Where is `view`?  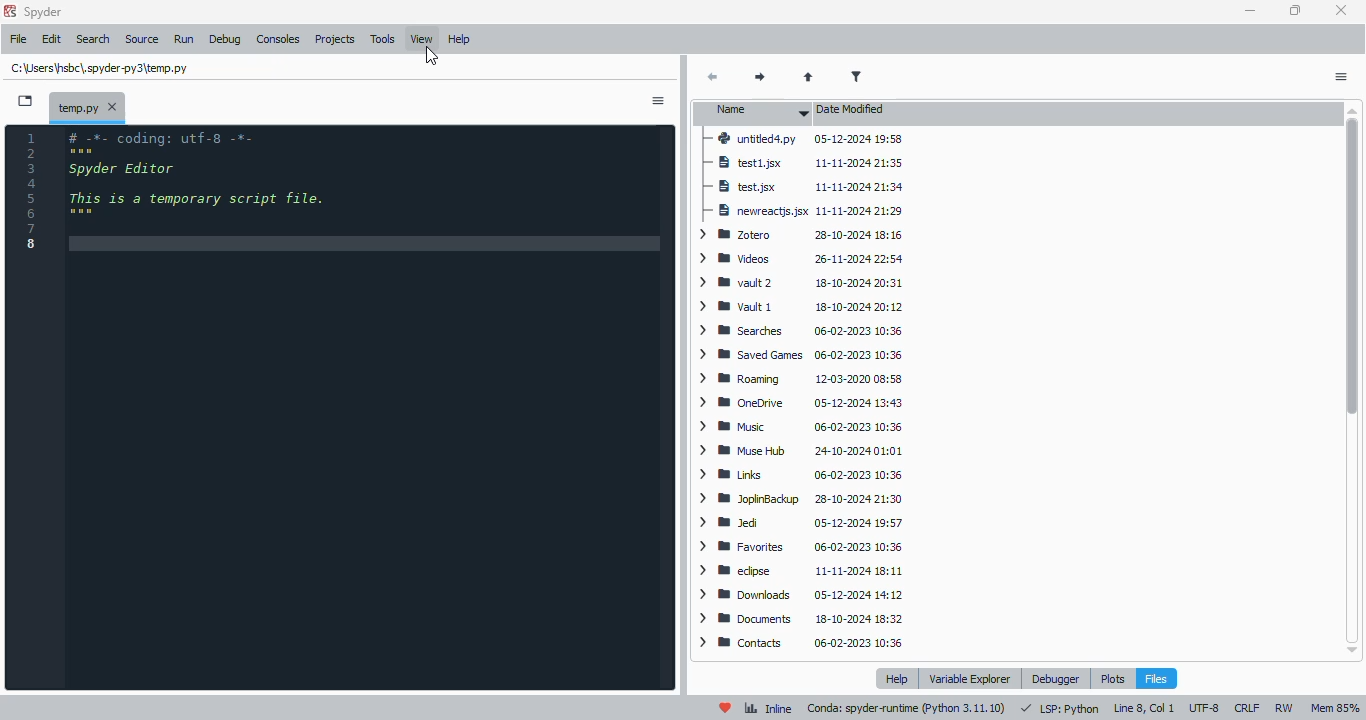
view is located at coordinates (422, 40).